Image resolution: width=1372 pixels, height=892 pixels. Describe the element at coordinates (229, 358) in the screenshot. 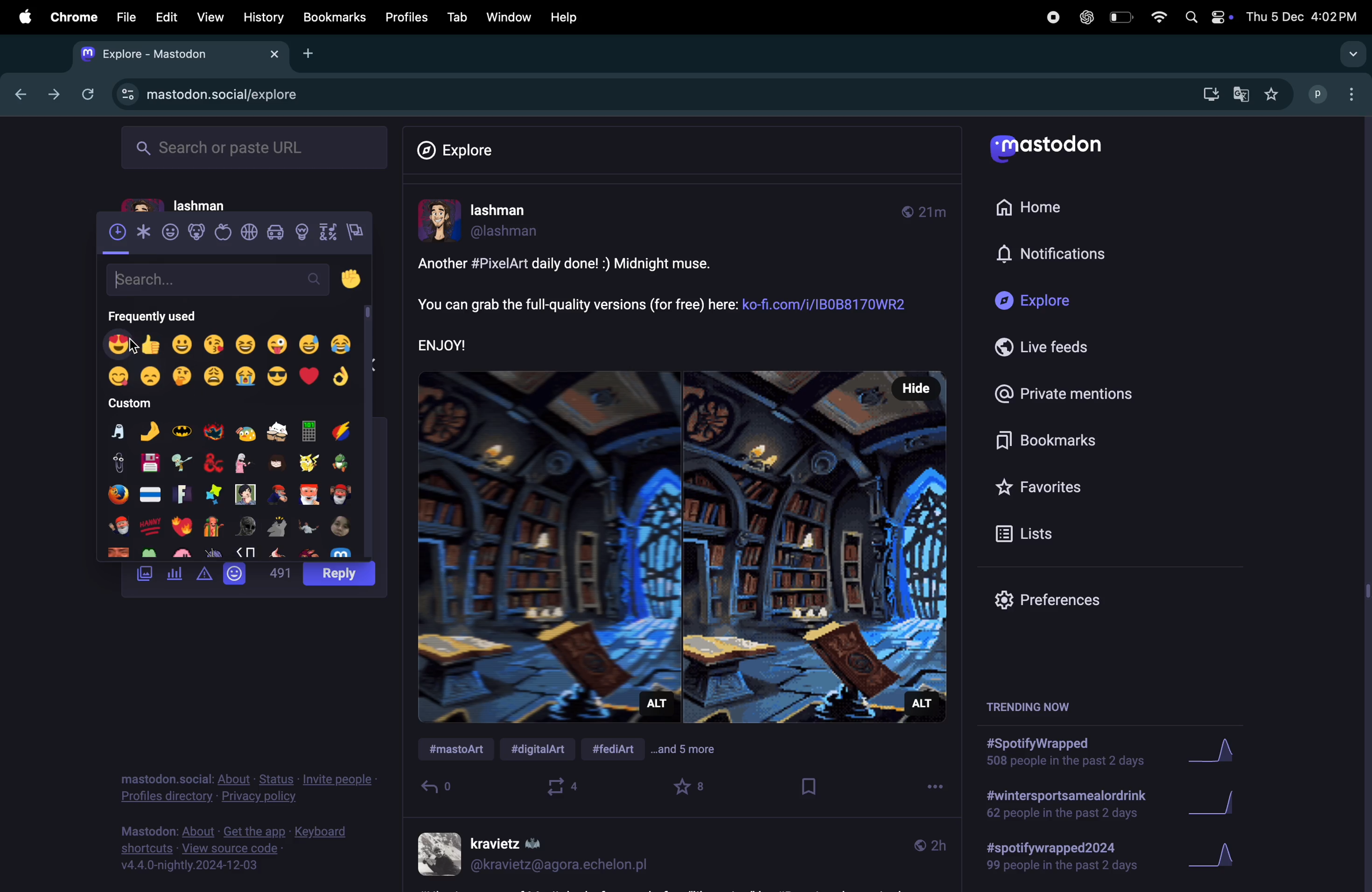

I see `emoji` at that location.